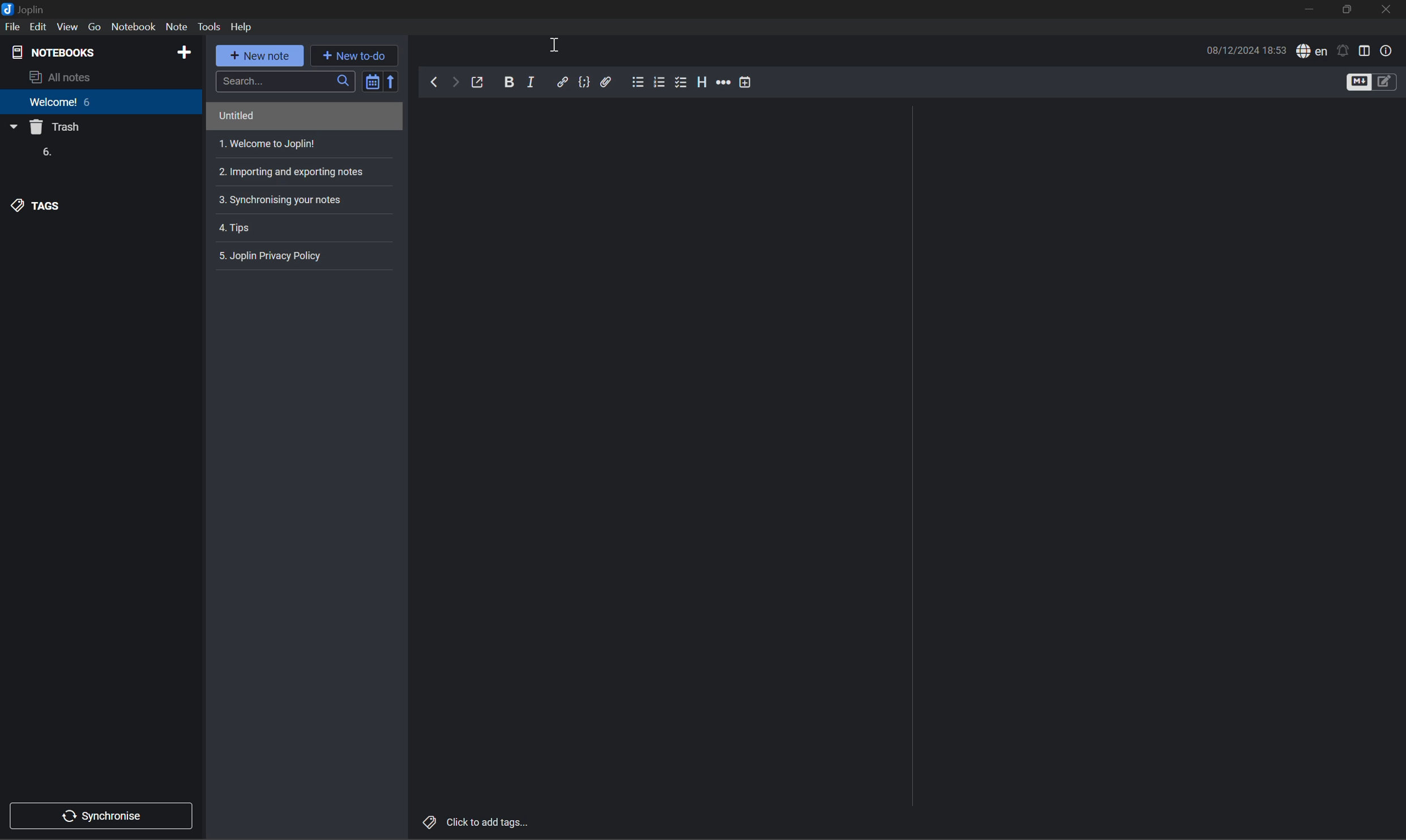  Describe the element at coordinates (1342, 50) in the screenshot. I see `Set alarm` at that location.